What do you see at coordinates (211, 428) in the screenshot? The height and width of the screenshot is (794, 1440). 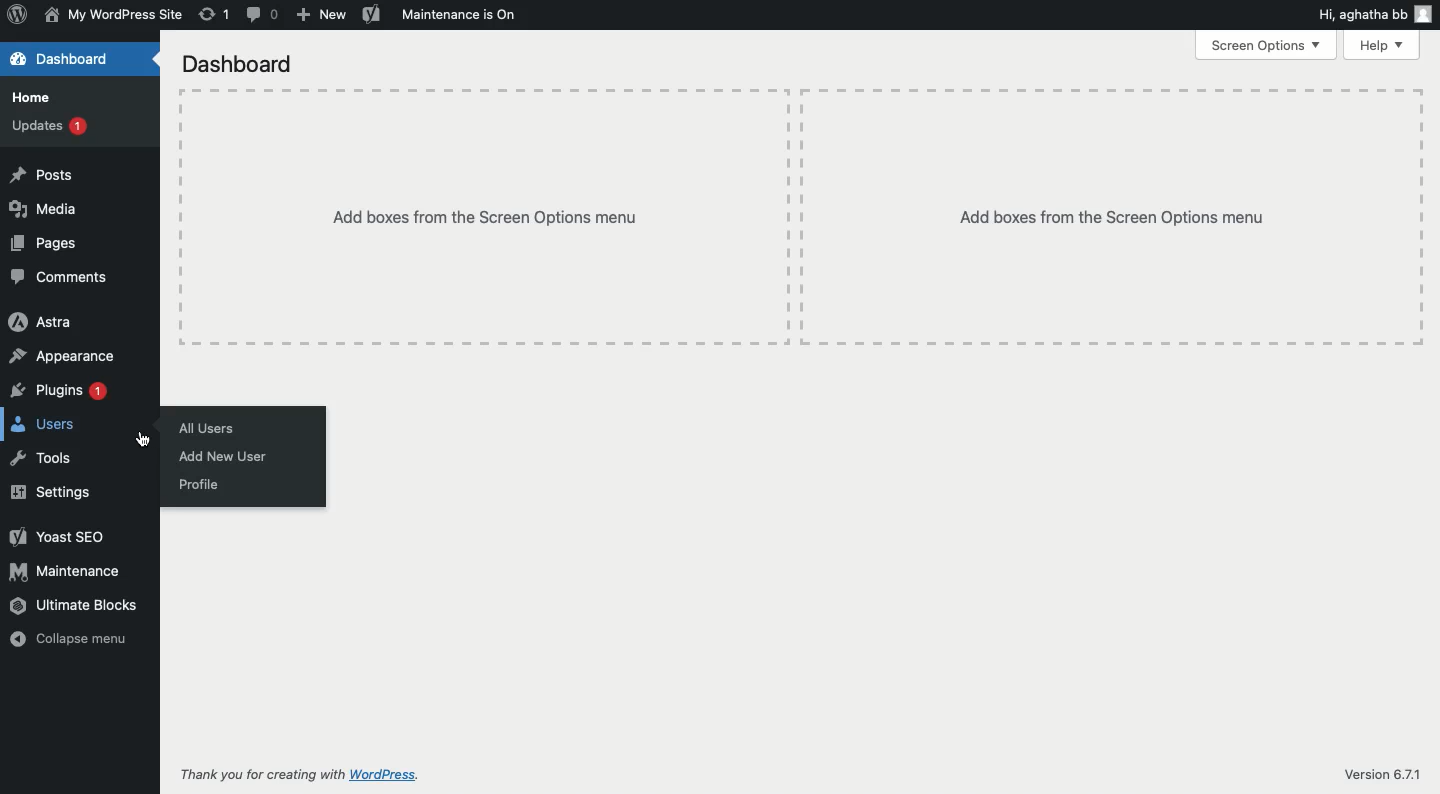 I see `All users` at bounding box center [211, 428].